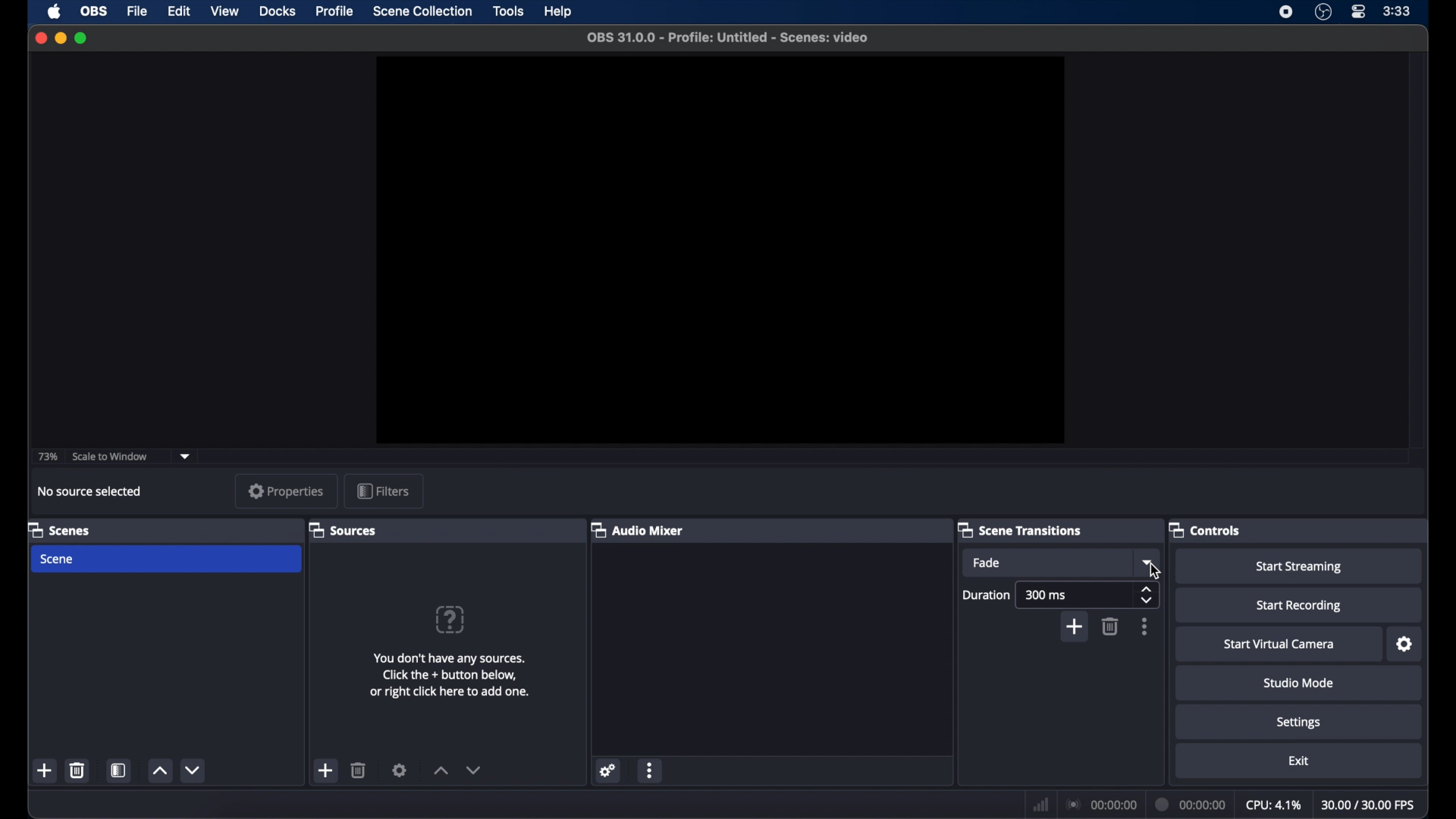 This screenshot has height=819, width=1456. What do you see at coordinates (451, 619) in the screenshot?
I see `question mark icon` at bounding box center [451, 619].